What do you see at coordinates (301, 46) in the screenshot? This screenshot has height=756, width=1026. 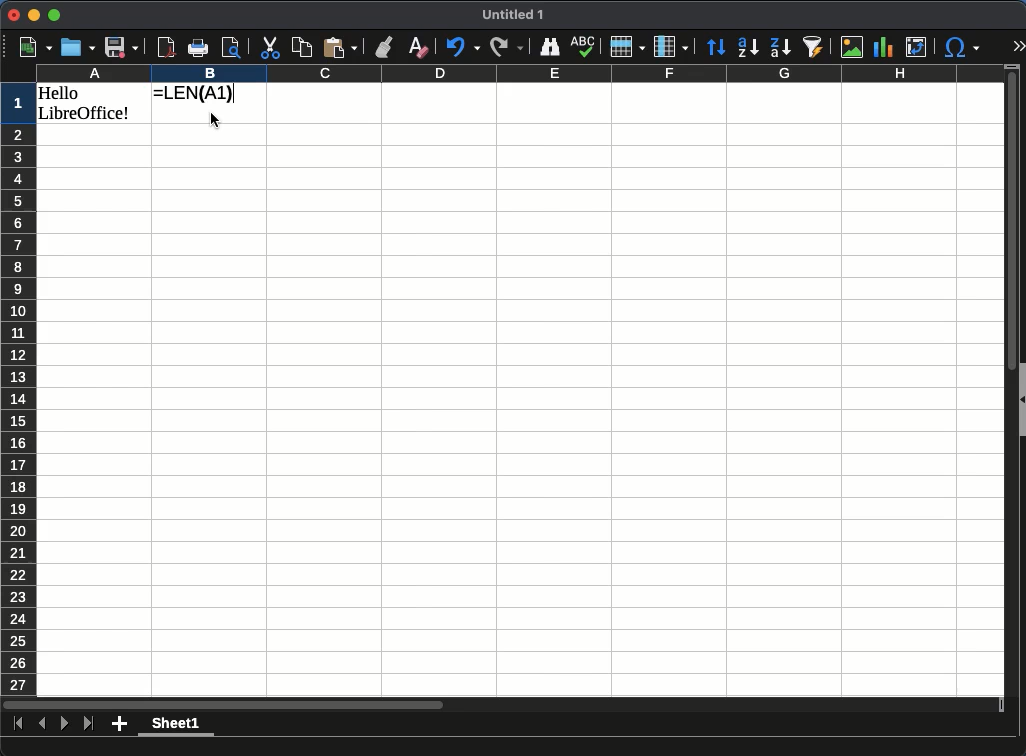 I see `copy` at bounding box center [301, 46].